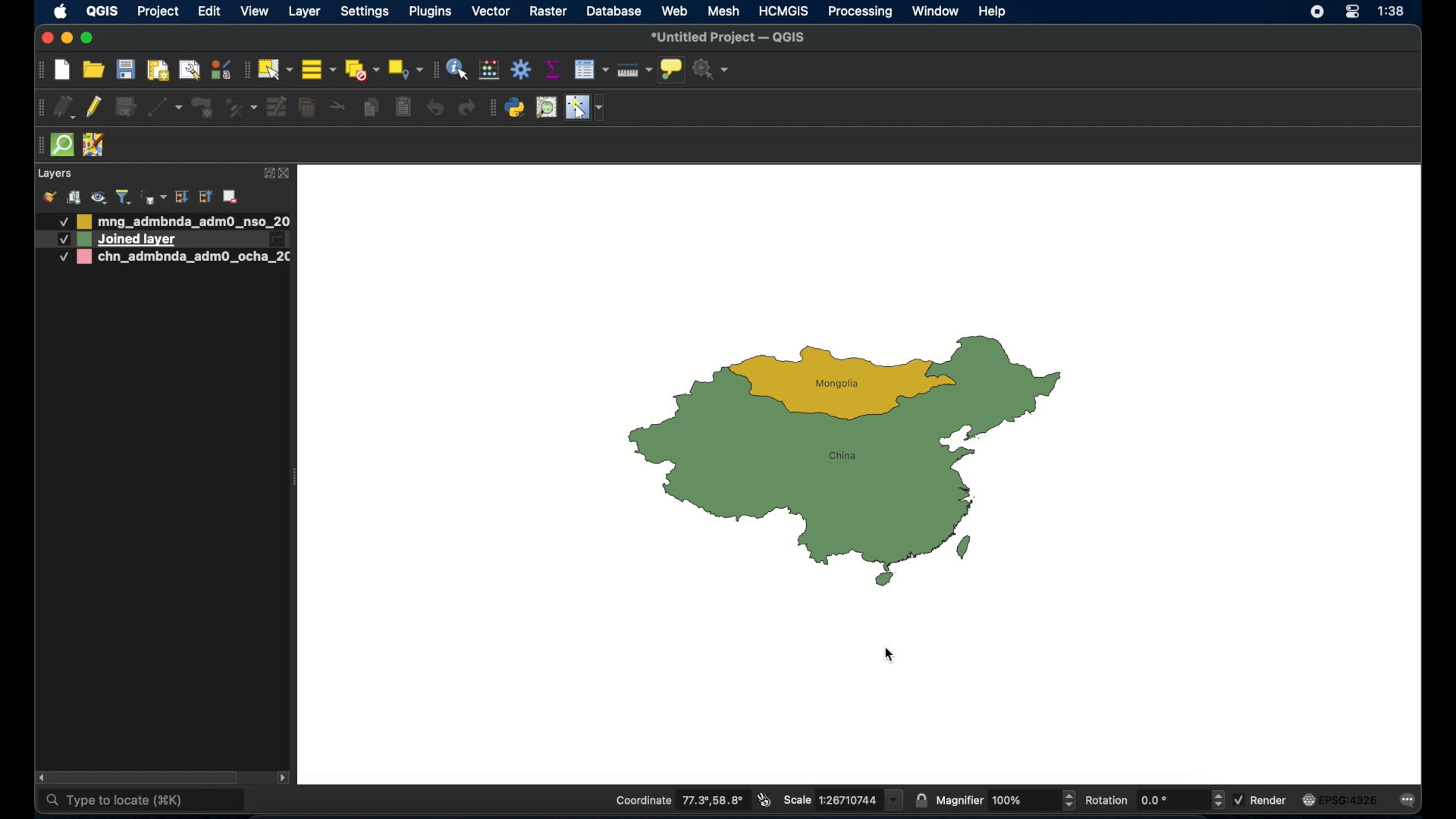 The height and width of the screenshot is (819, 1456). What do you see at coordinates (405, 108) in the screenshot?
I see `paste features` at bounding box center [405, 108].